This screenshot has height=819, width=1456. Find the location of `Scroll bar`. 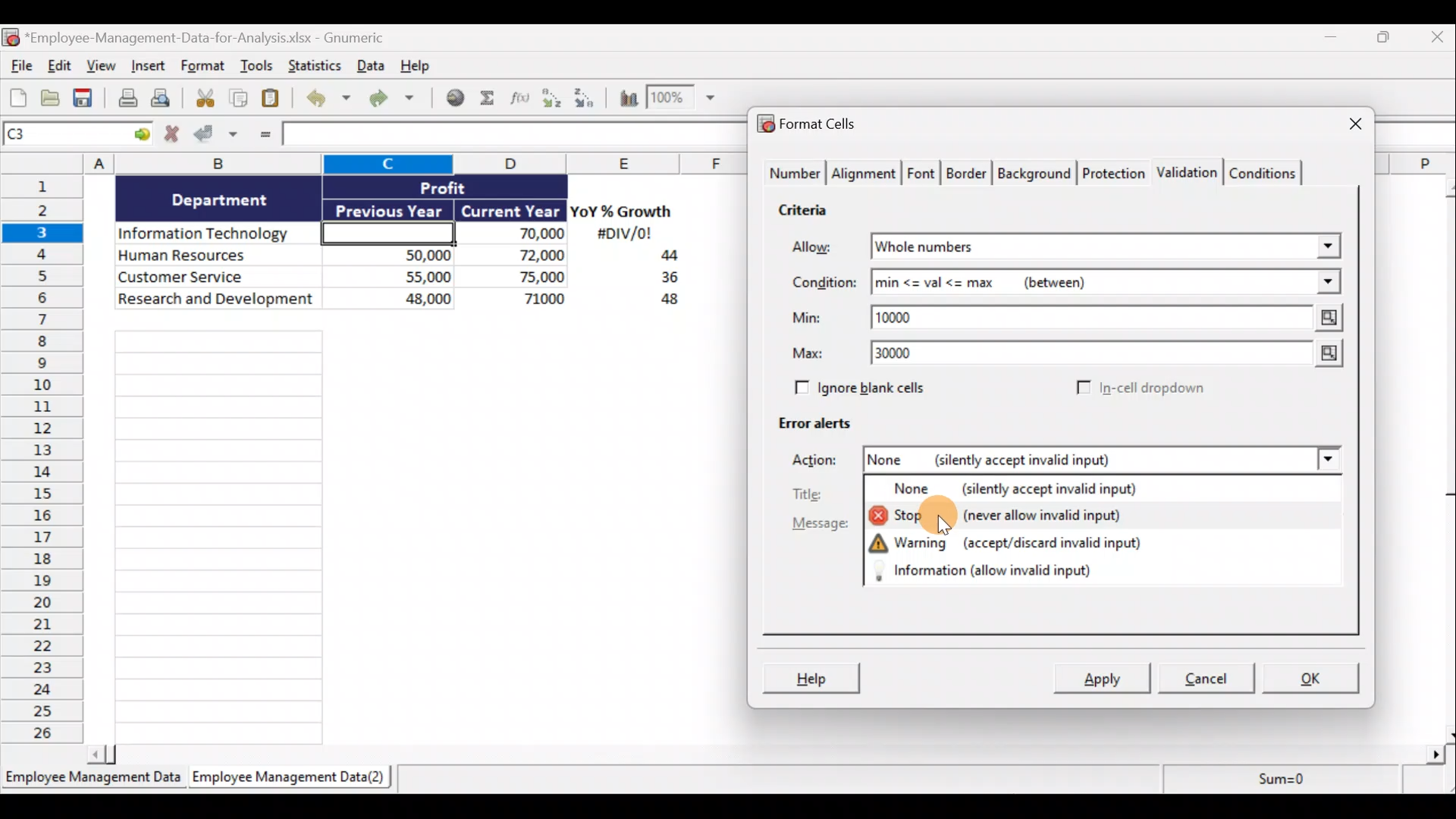

Scroll bar is located at coordinates (1443, 457).